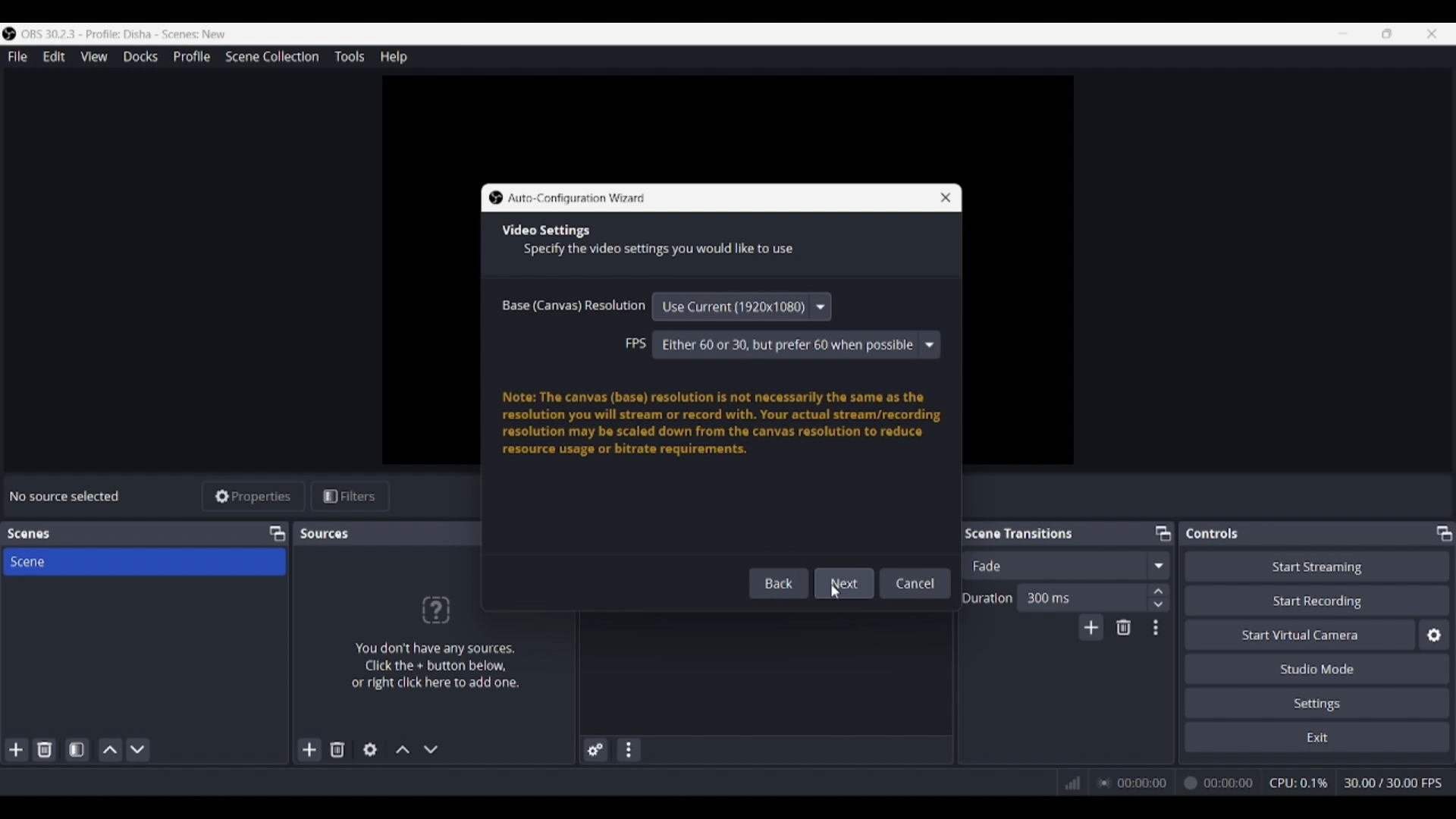 The height and width of the screenshot is (819, 1456). I want to click on Open source properties, so click(370, 750).